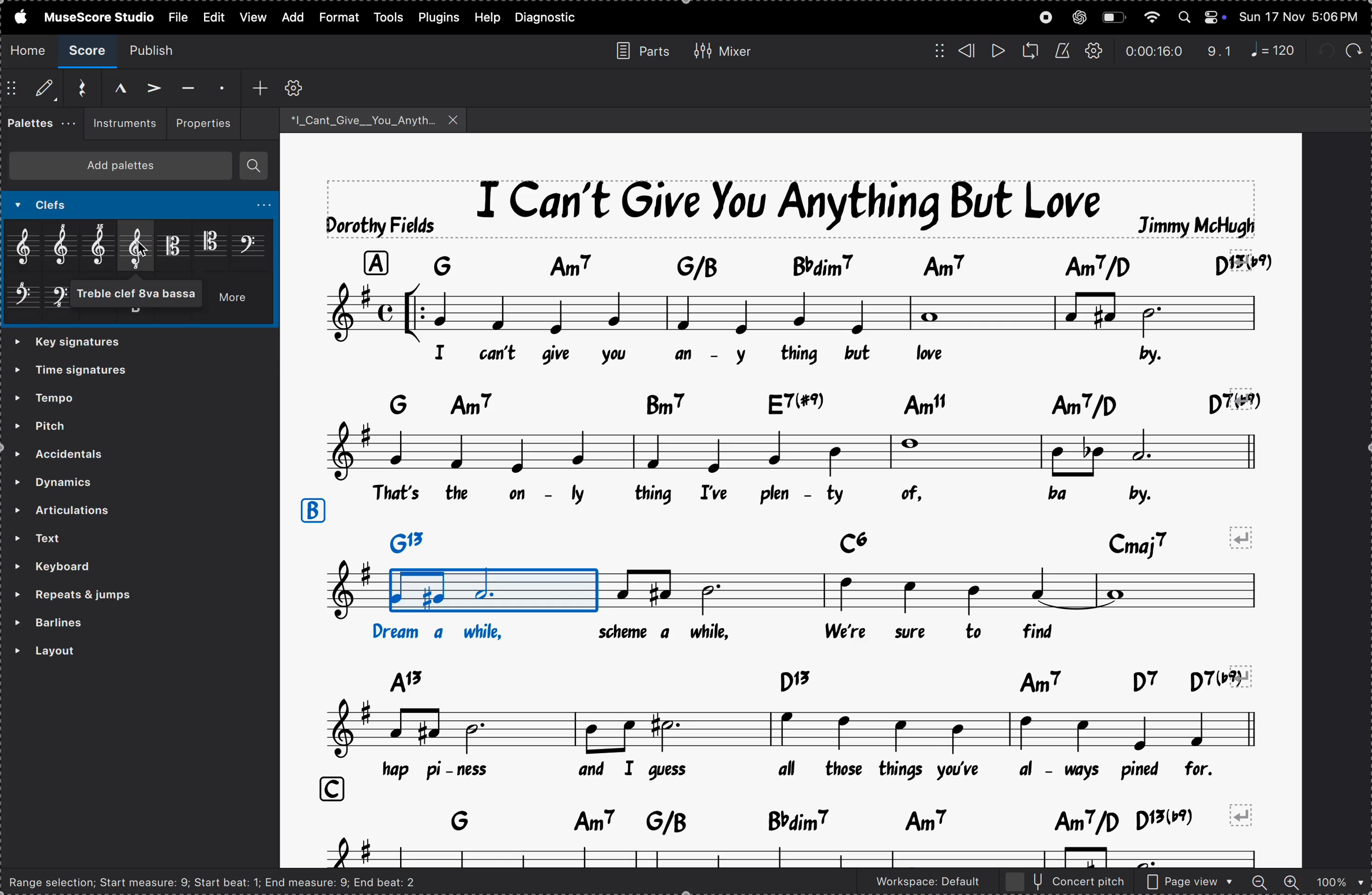  What do you see at coordinates (250, 243) in the screenshot?
I see `bass clef` at bounding box center [250, 243].